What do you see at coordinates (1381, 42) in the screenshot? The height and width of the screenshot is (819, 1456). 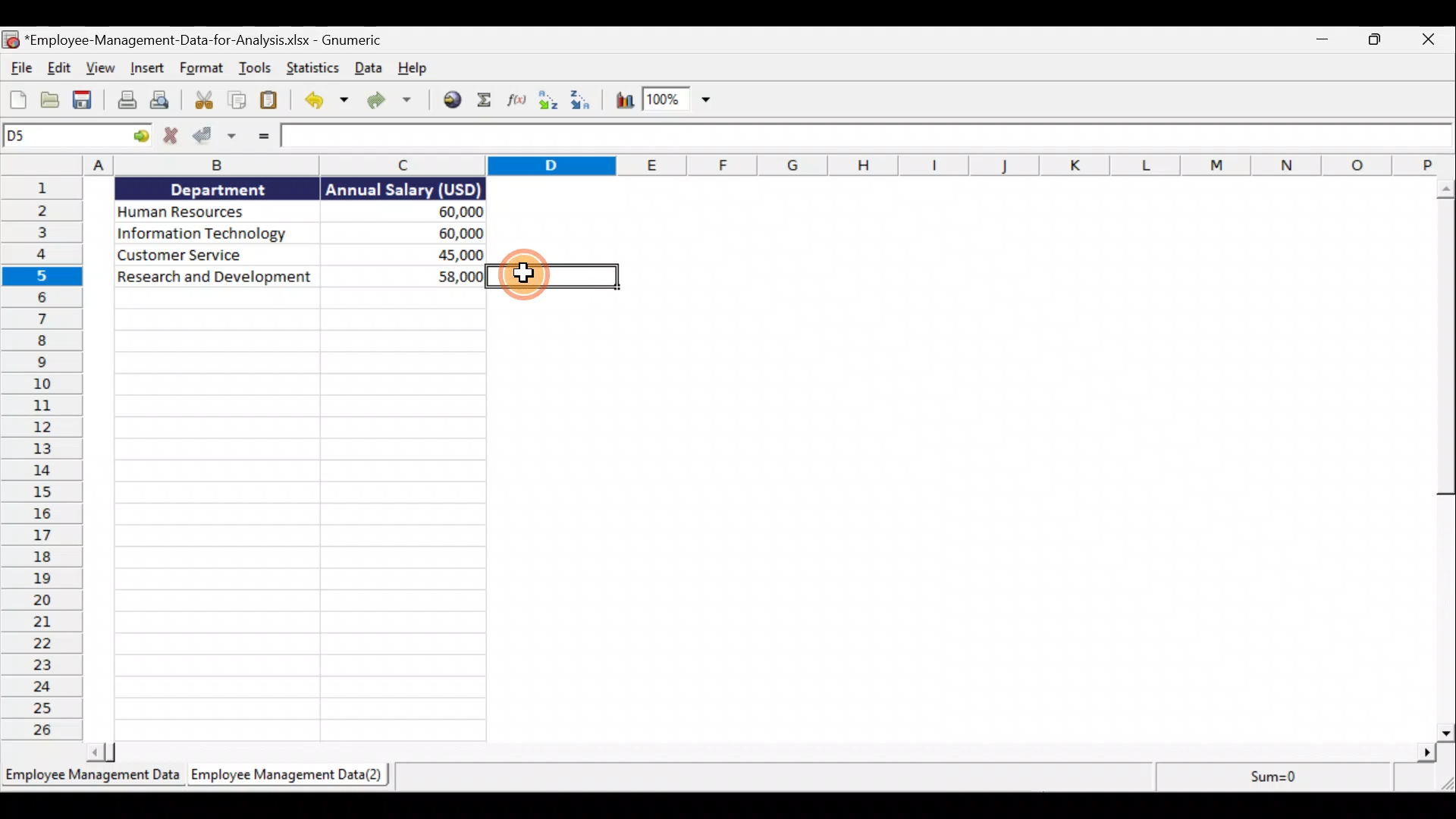 I see `Maximise` at bounding box center [1381, 42].